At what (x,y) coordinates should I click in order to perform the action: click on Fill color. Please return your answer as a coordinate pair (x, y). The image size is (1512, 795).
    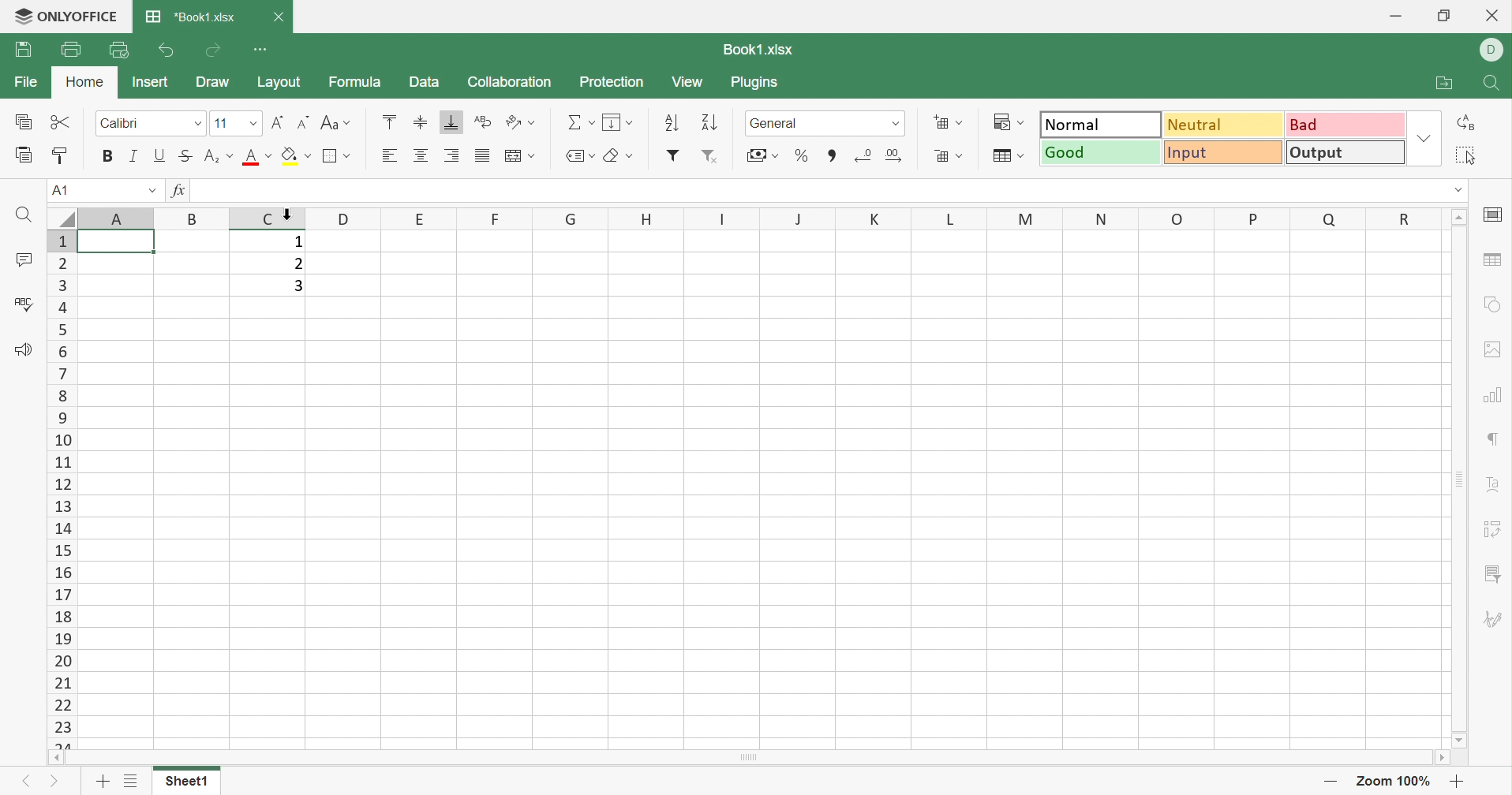
    Looking at the image, I should click on (290, 157).